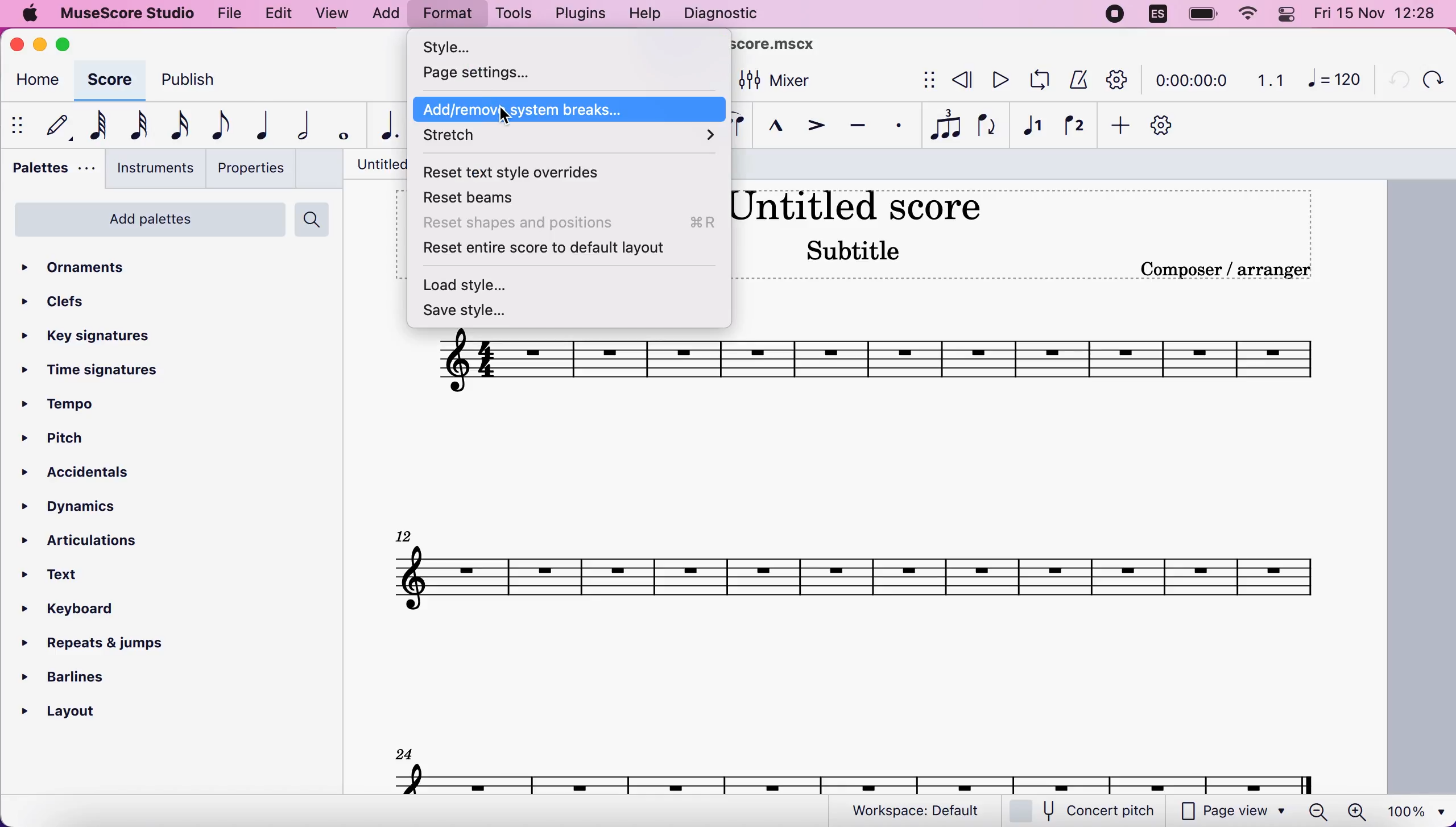 The width and height of the screenshot is (1456, 827). What do you see at coordinates (94, 371) in the screenshot?
I see `time signatures` at bounding box center [94, 371].